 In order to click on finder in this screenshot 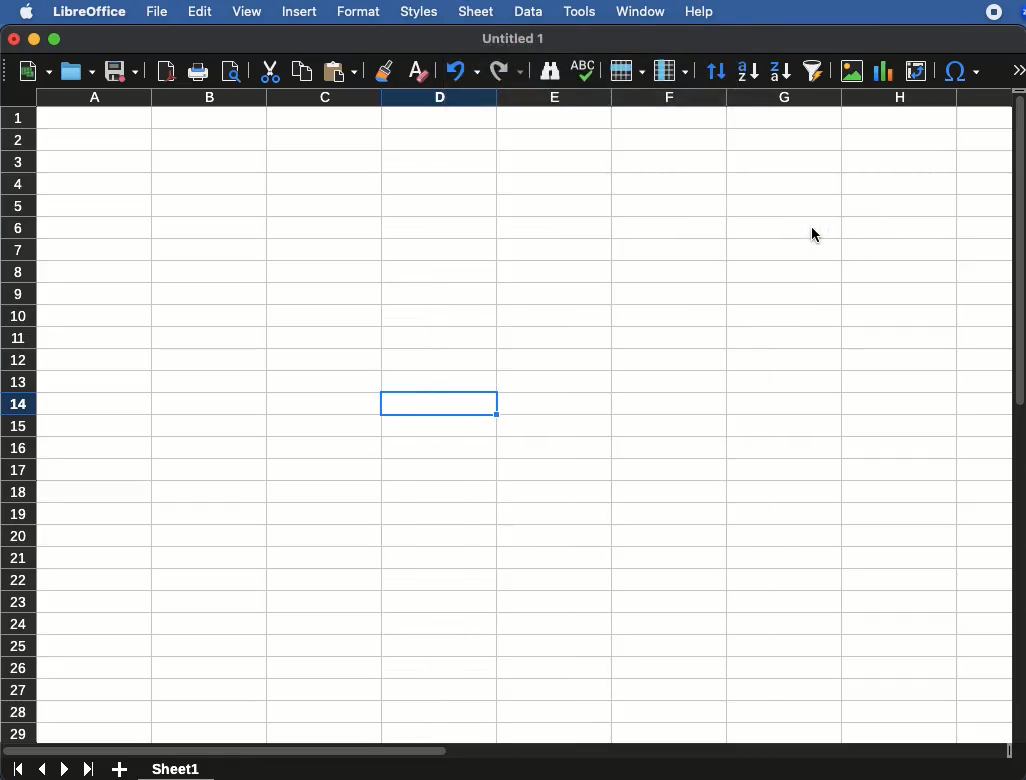, I will do `click(551, 71)`.